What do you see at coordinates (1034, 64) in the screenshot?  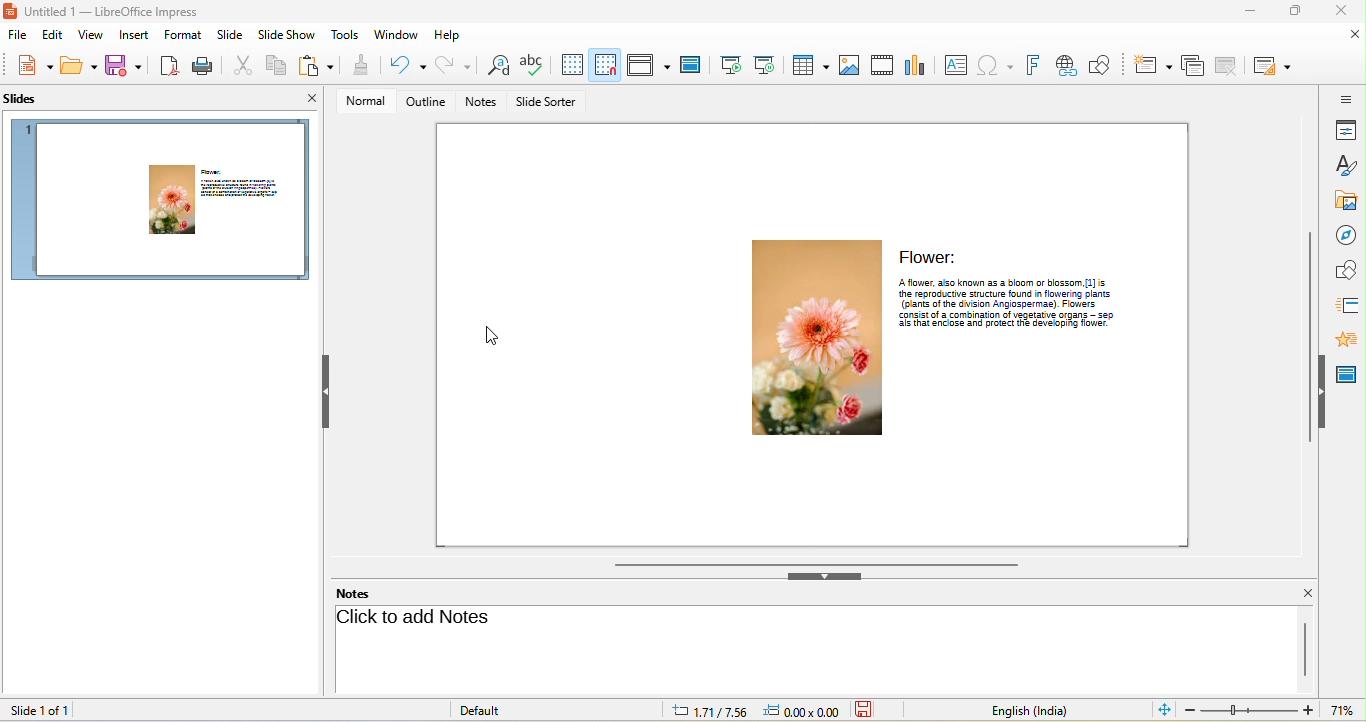 I see `font work text` at bounding box center [1034, 64].